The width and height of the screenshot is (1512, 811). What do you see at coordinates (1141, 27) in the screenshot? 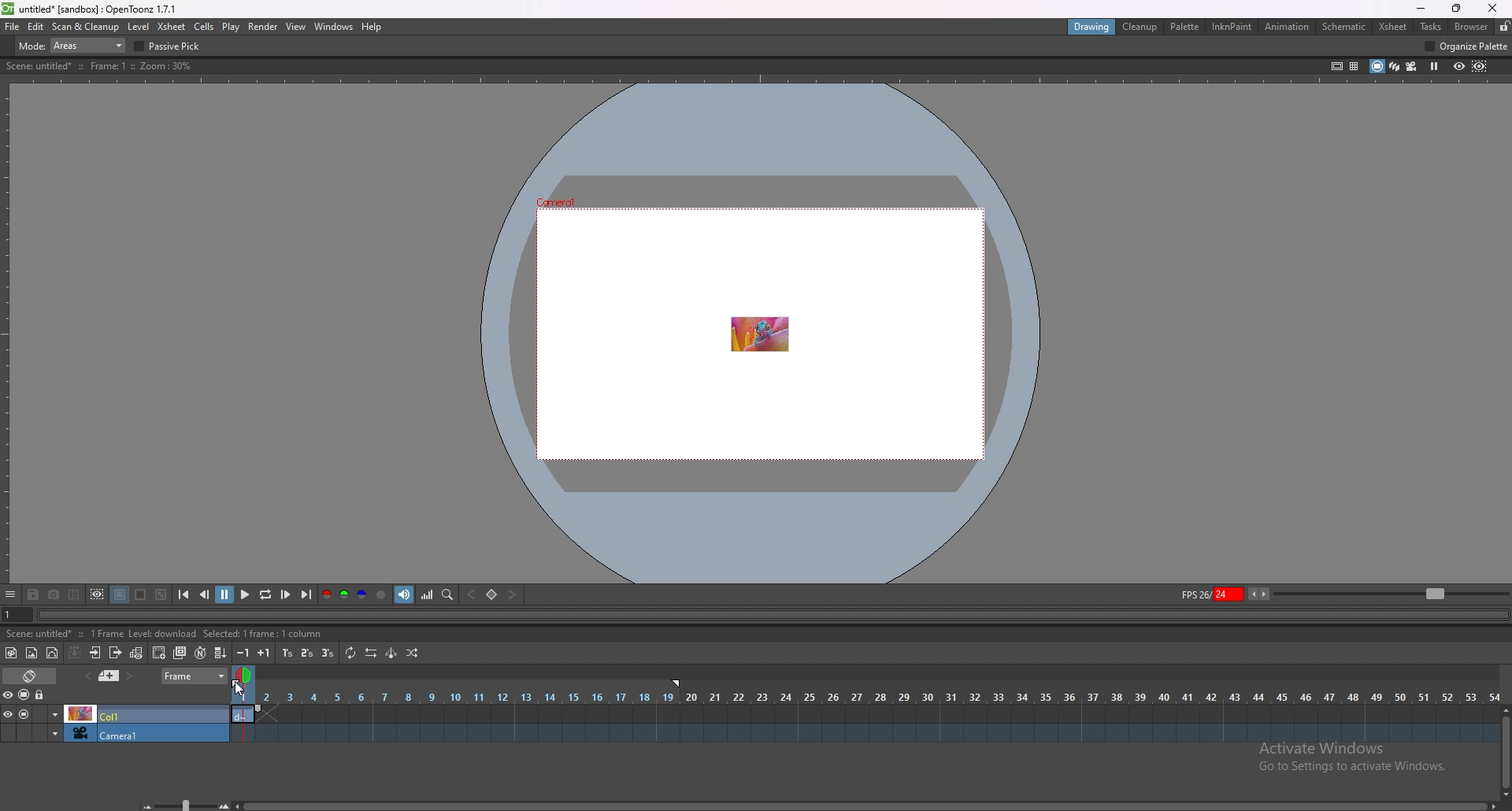
I see `cleanup` at bounding box center [1141, 27].